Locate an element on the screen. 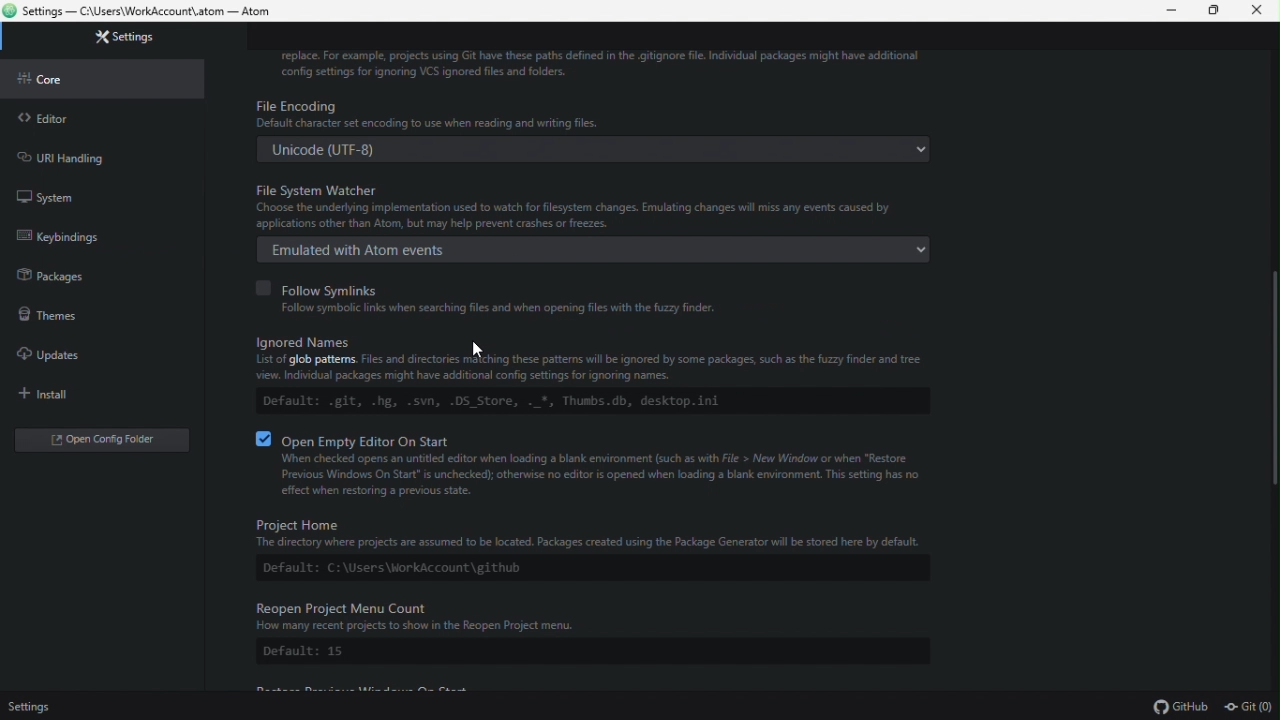  URL handling is located at coordinates (93, 154).